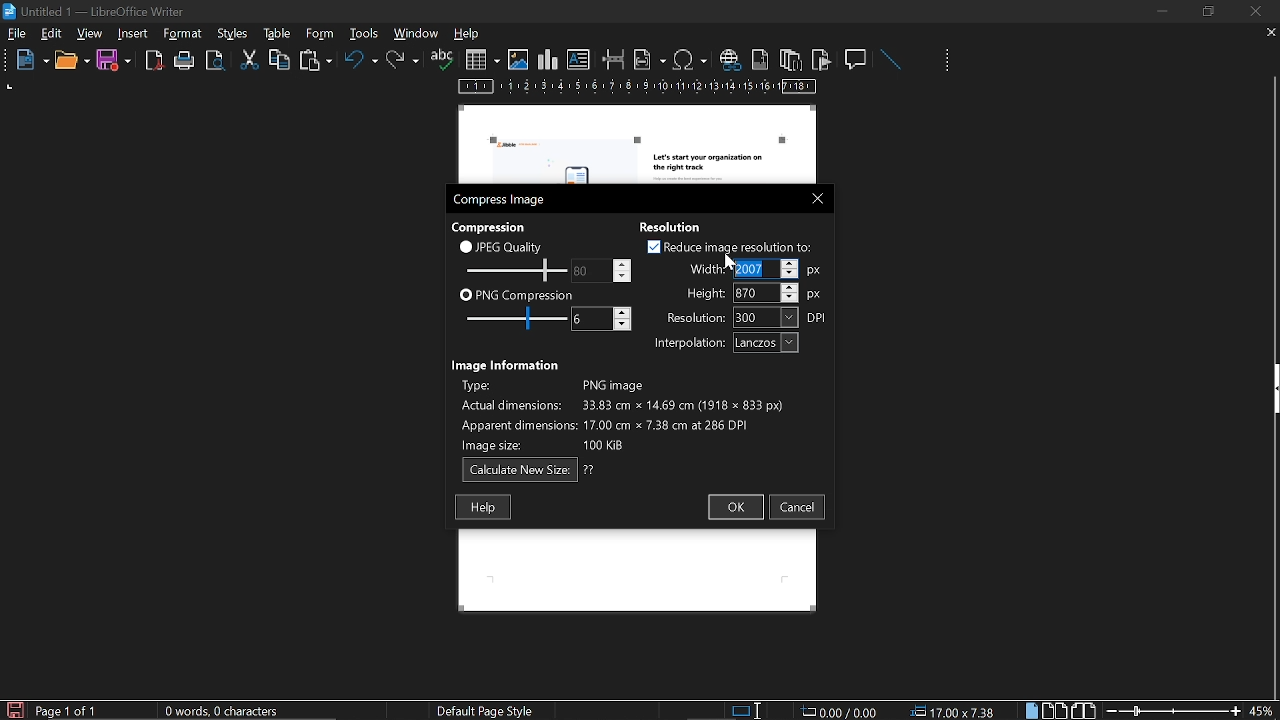 This screenshot has width=1280, height=720. I want to click on insert bookmark, so click(822, 60).